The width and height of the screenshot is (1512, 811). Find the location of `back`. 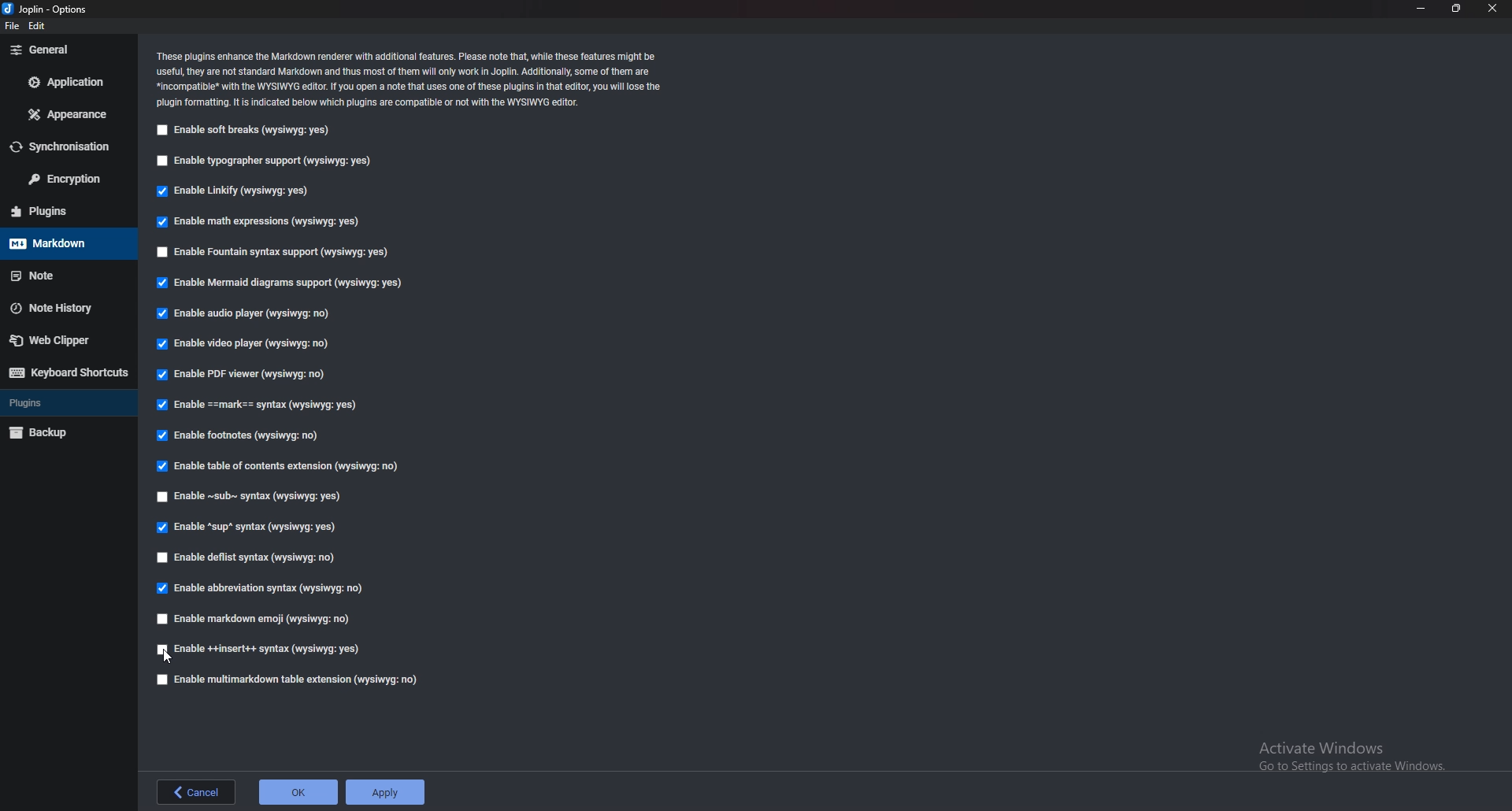

back is located at coordinates (196, 793).